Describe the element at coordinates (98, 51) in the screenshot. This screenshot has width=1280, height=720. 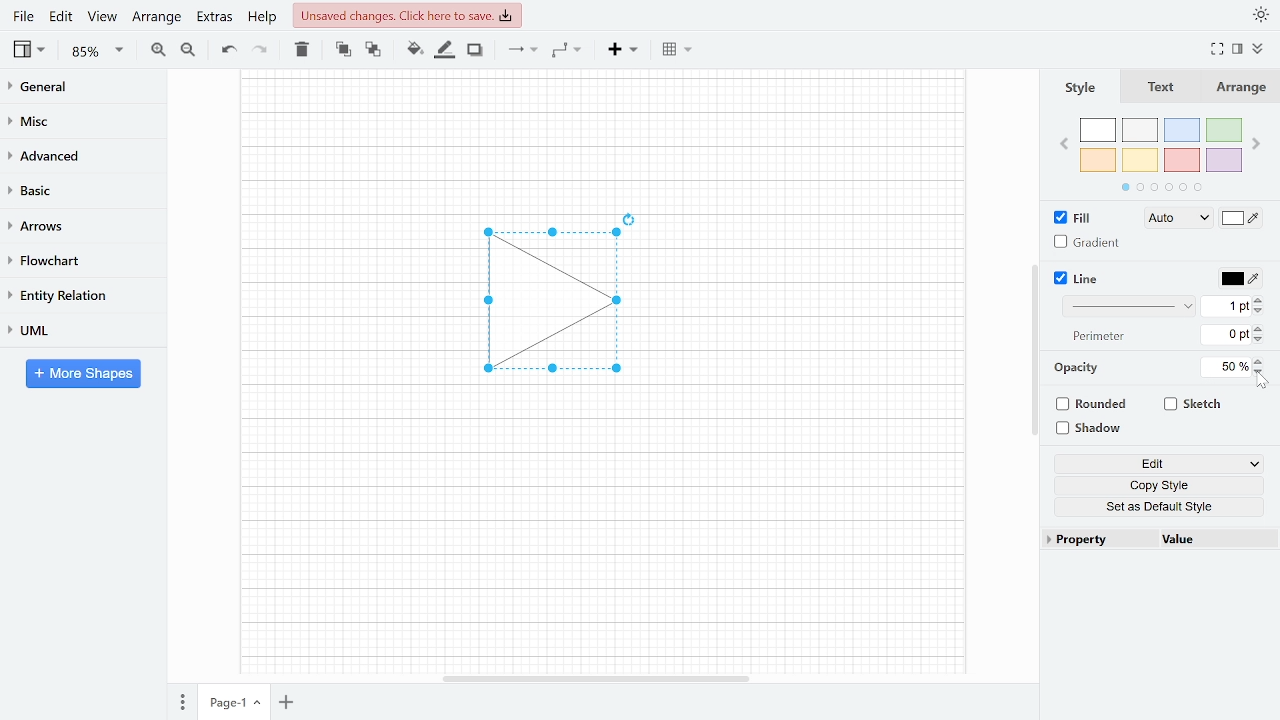
I see `Zoom` at that location.